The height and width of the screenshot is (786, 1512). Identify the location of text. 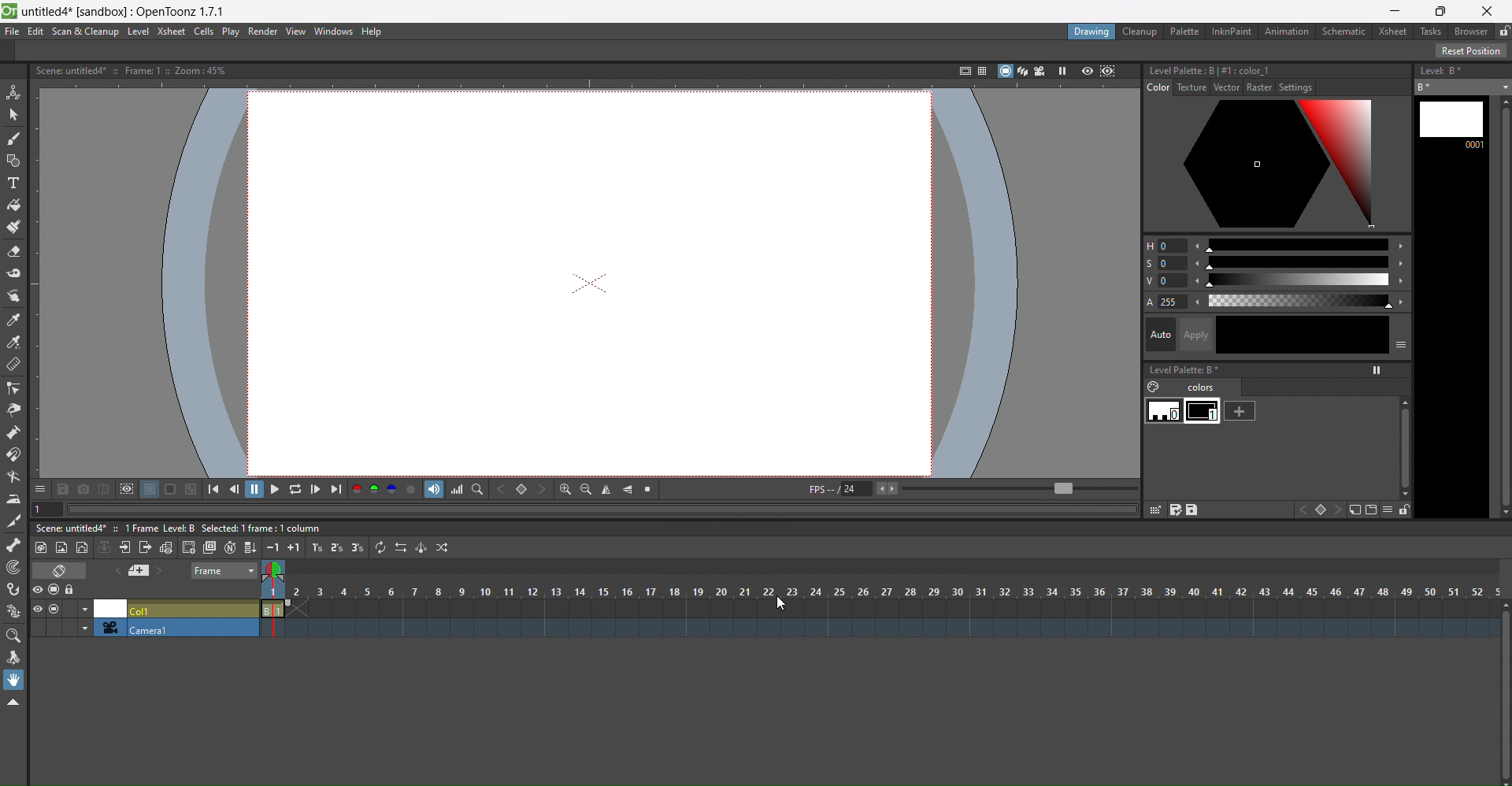
(1236, 87).